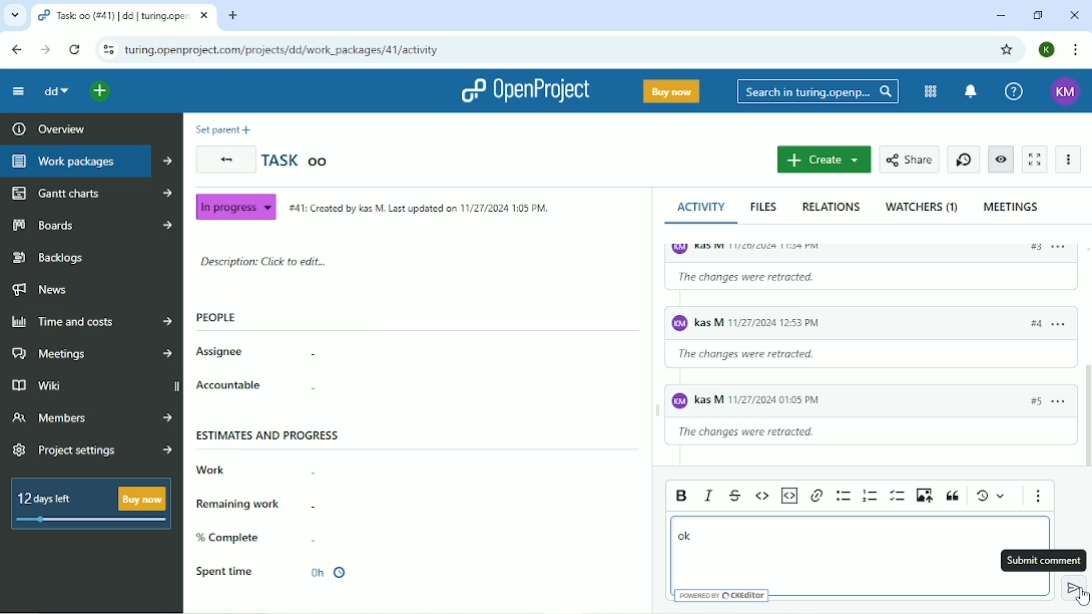  What do you see at coordinates (223, 130) in the screenshot?
I see `Set parent` at bounding box center [223, 130].